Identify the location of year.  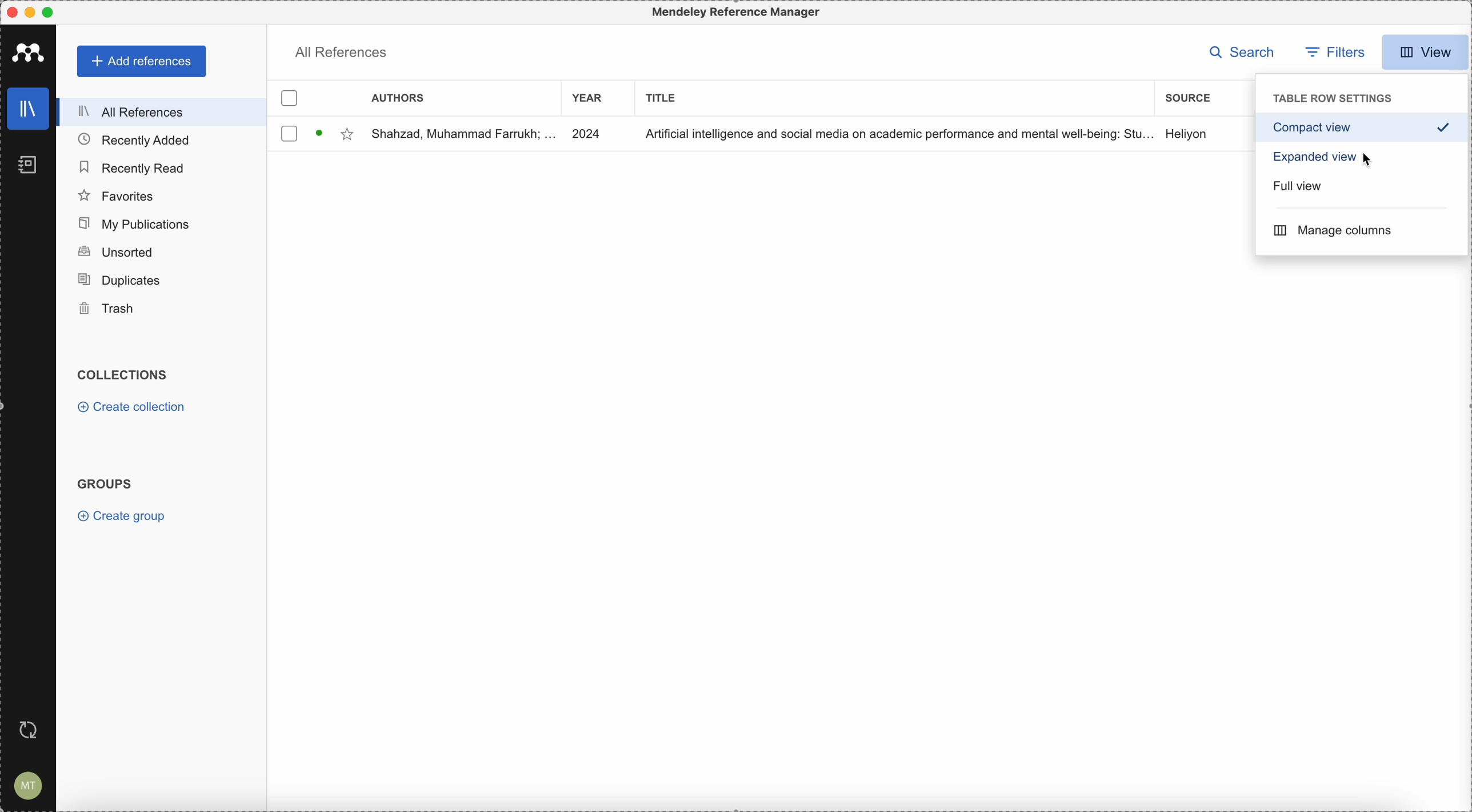
(591, 98).